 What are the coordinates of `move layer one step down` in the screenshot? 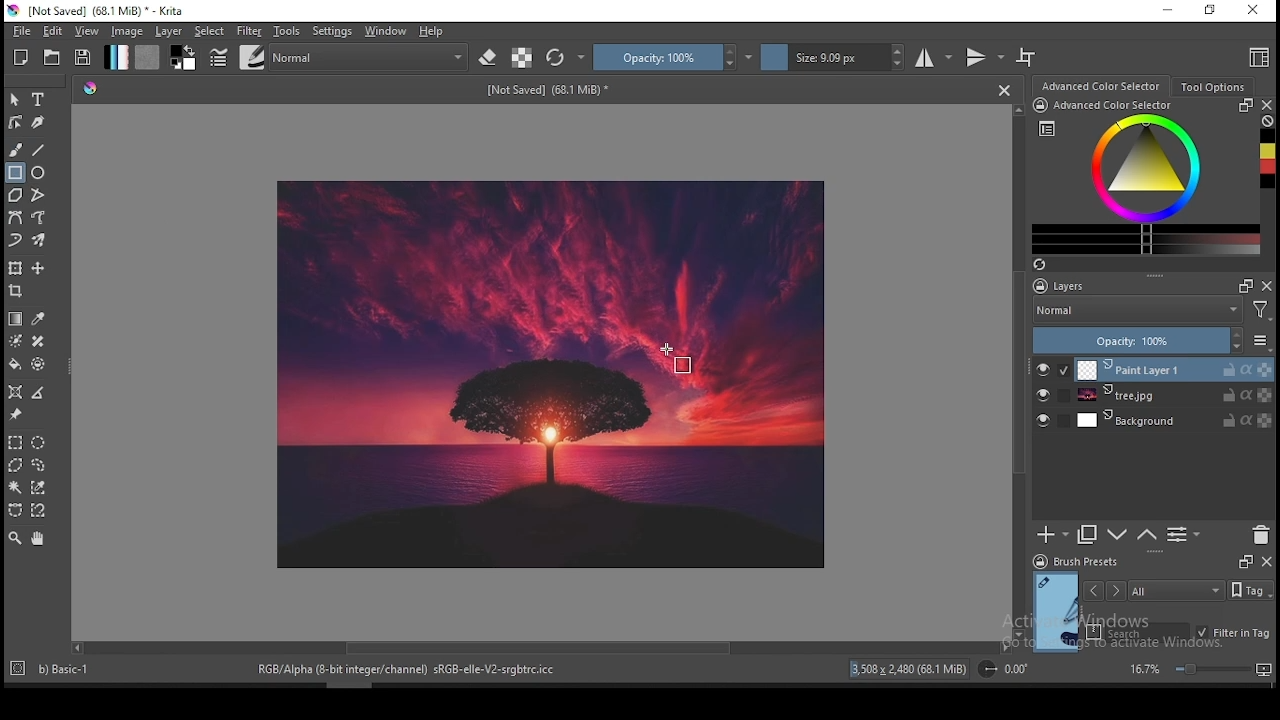 It's located at (1116, 535).